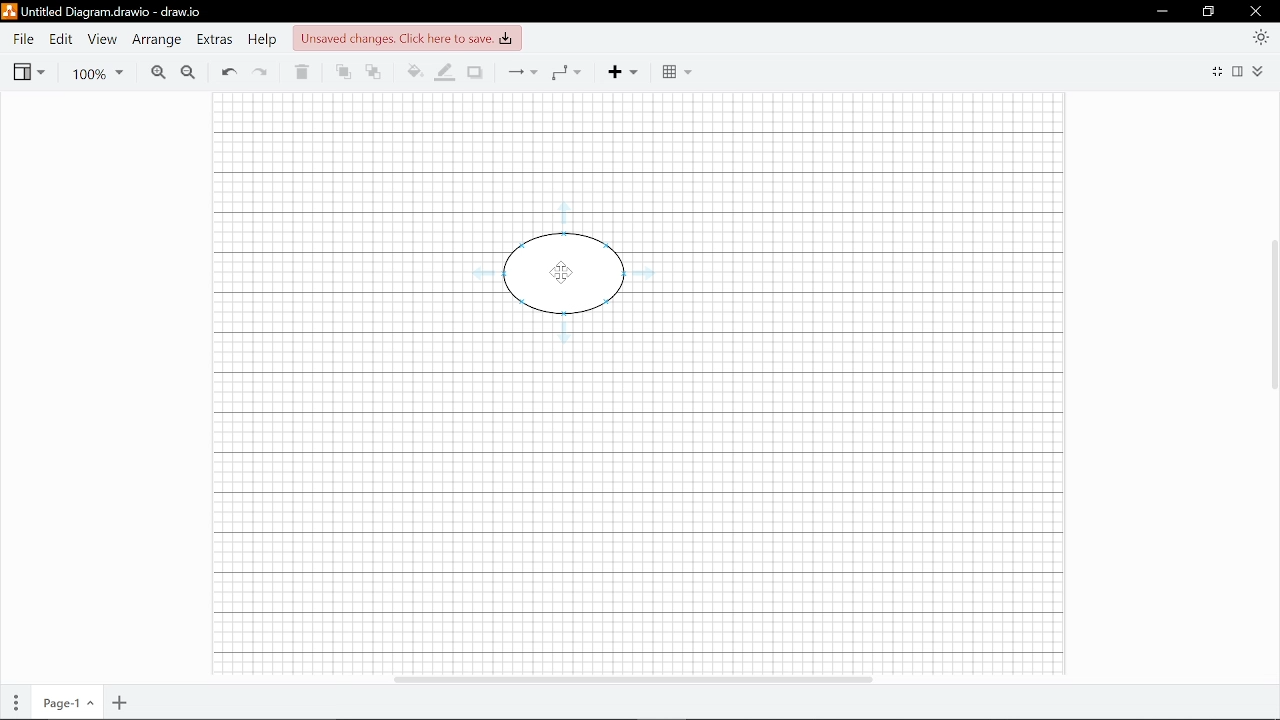 The height and width of the screenshot is (720, 1280). What do you see at coordinates (102, 40) in the screenshot?
I see `View` at bounding box center [102, 40].